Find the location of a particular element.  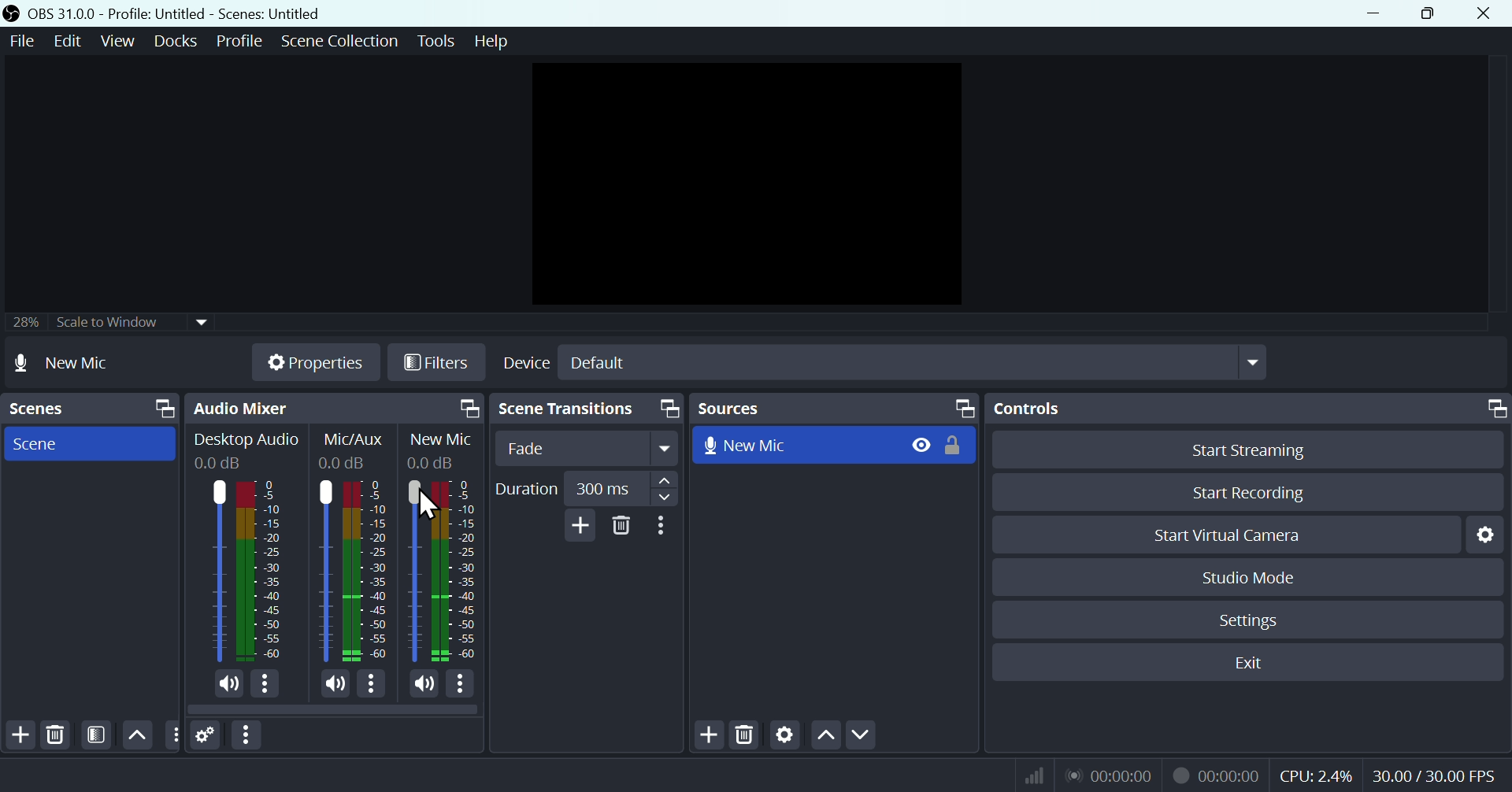

Desktop Audio is located at coordinates (246, 441).